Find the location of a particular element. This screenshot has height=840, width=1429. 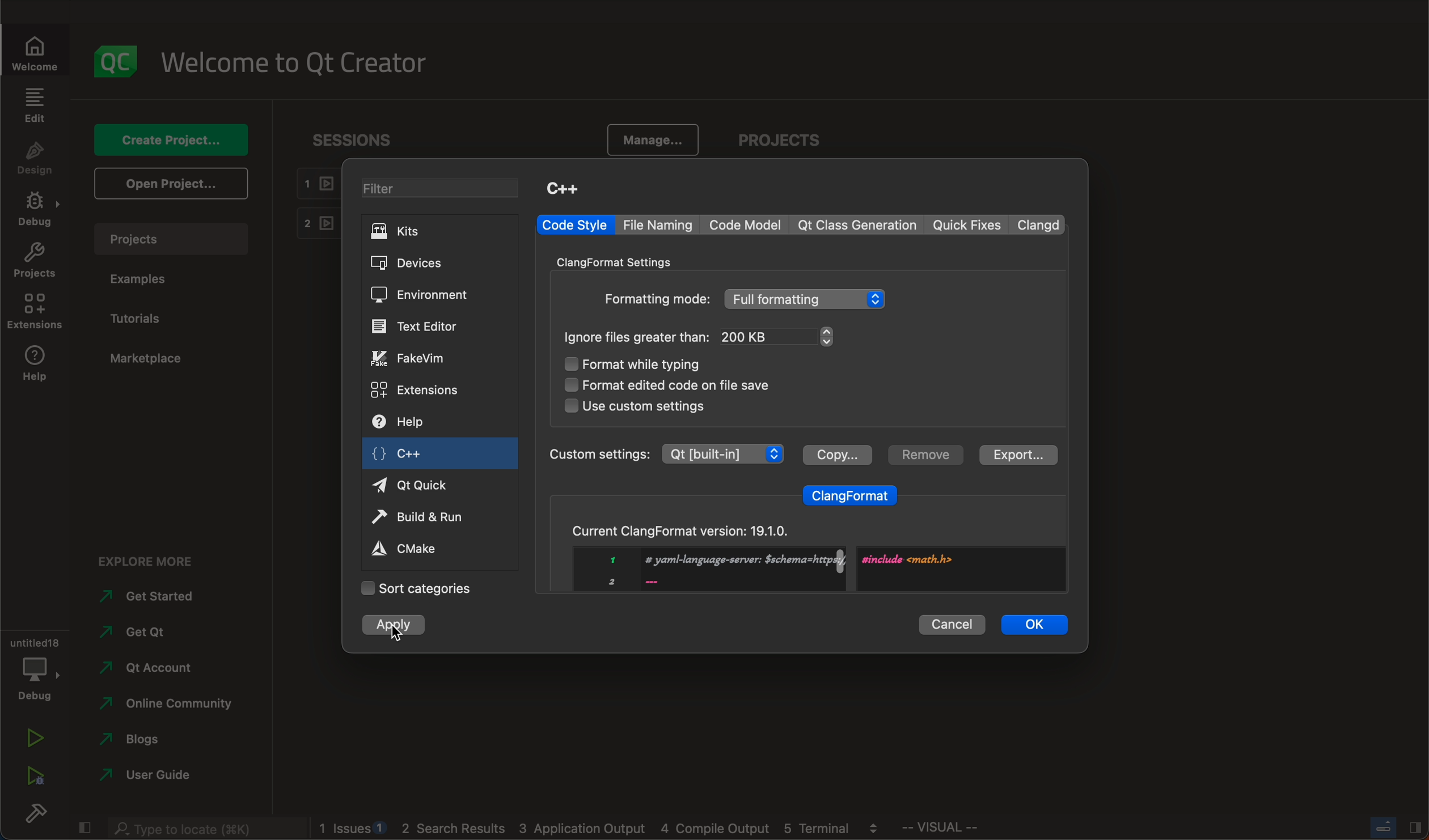

ok is located at coordinates (1035, 623).